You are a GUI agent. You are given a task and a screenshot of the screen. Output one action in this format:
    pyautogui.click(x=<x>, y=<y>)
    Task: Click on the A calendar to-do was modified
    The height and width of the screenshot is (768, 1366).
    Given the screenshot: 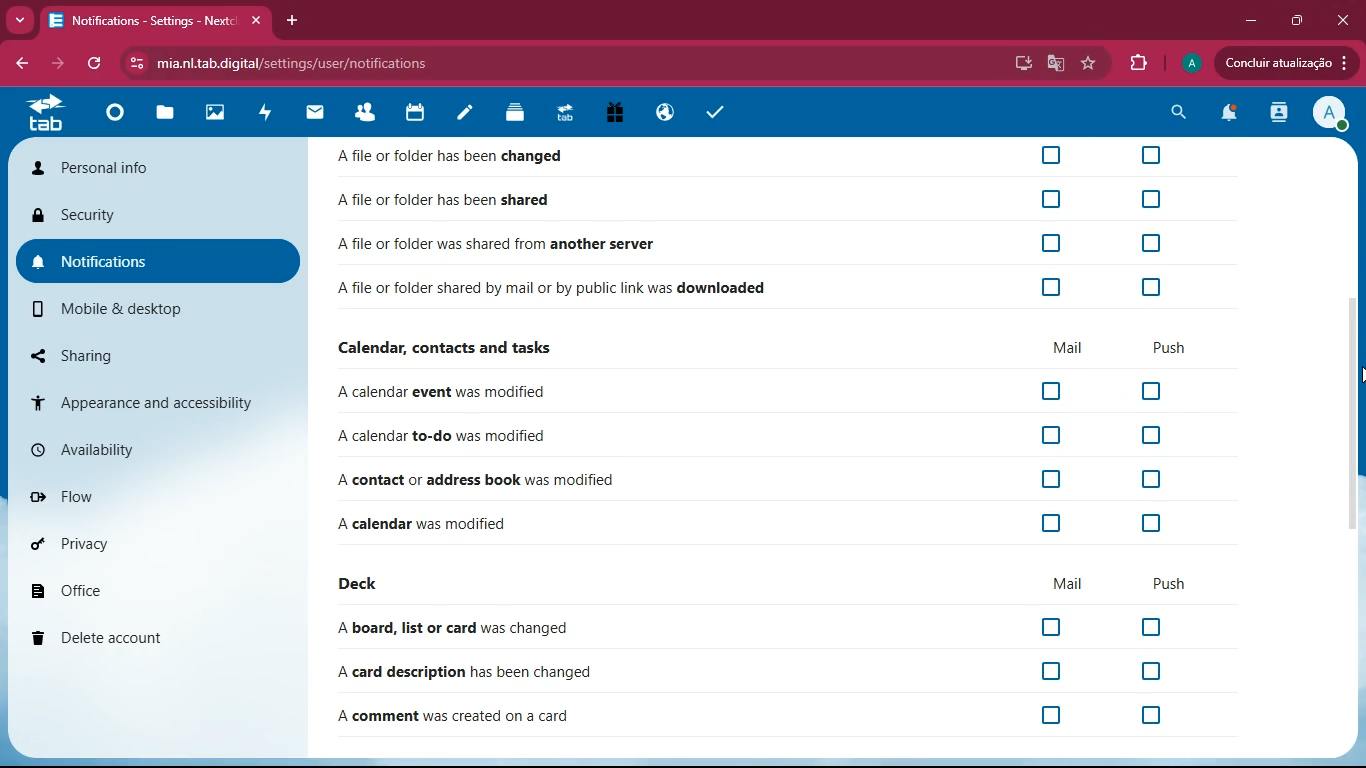 What is the action you would take?
    pyautogui.click(x=443, y=440)
    